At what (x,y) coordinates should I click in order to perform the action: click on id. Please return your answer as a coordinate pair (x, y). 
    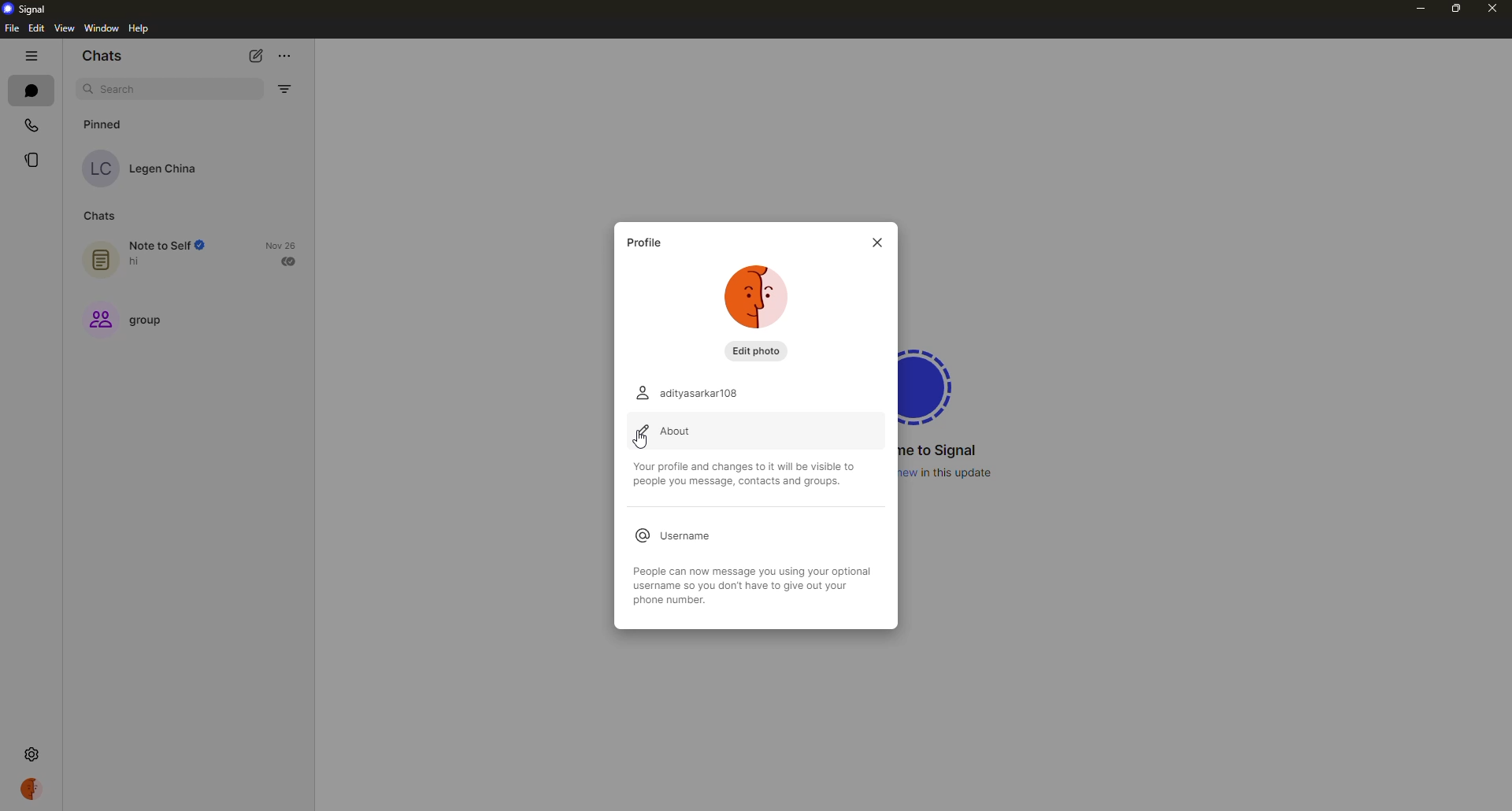
    Looking at the image, I should click on (692, 392).